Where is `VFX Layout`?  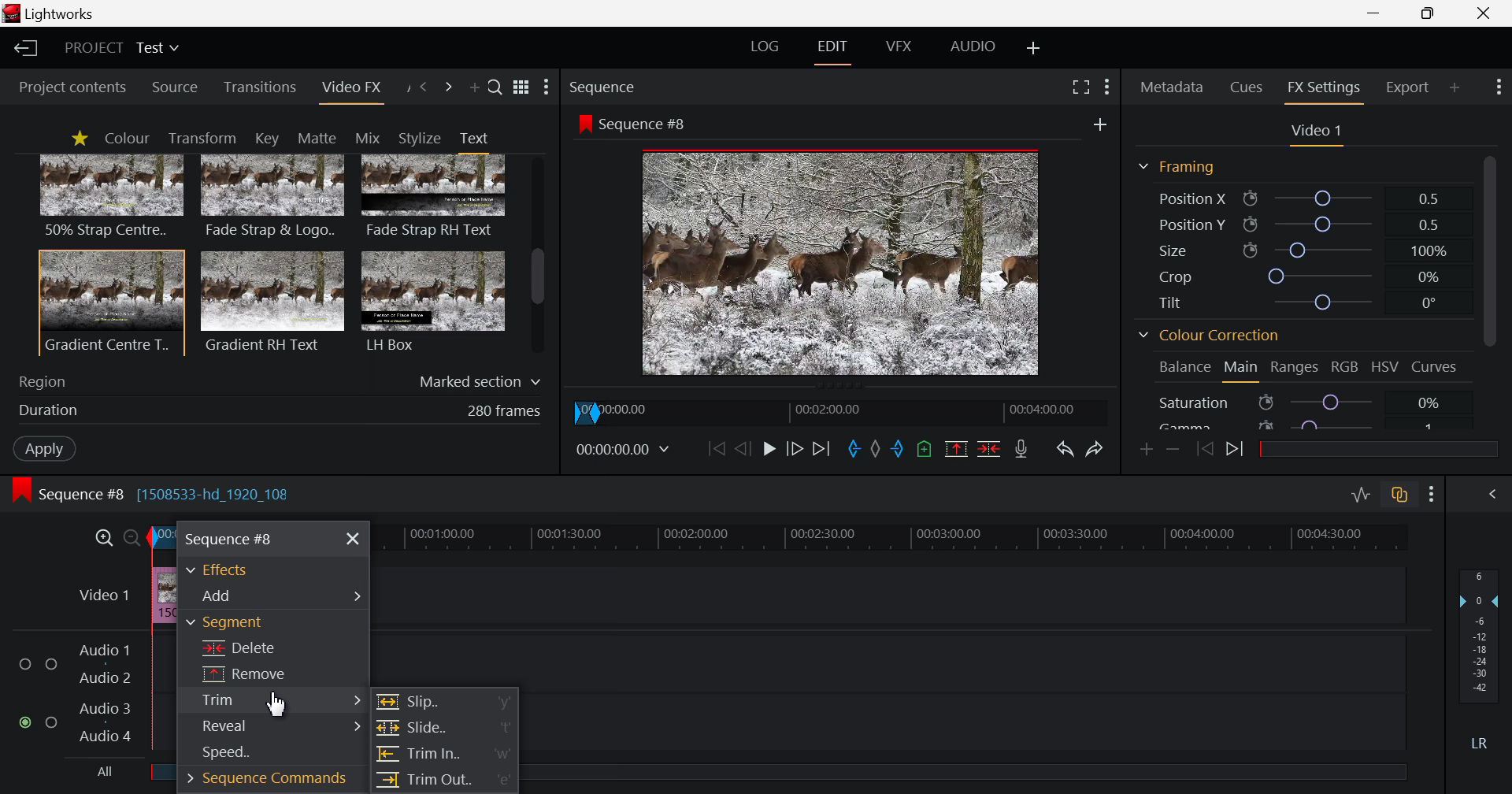 VFX Layout is located at coordinates (902, 46).